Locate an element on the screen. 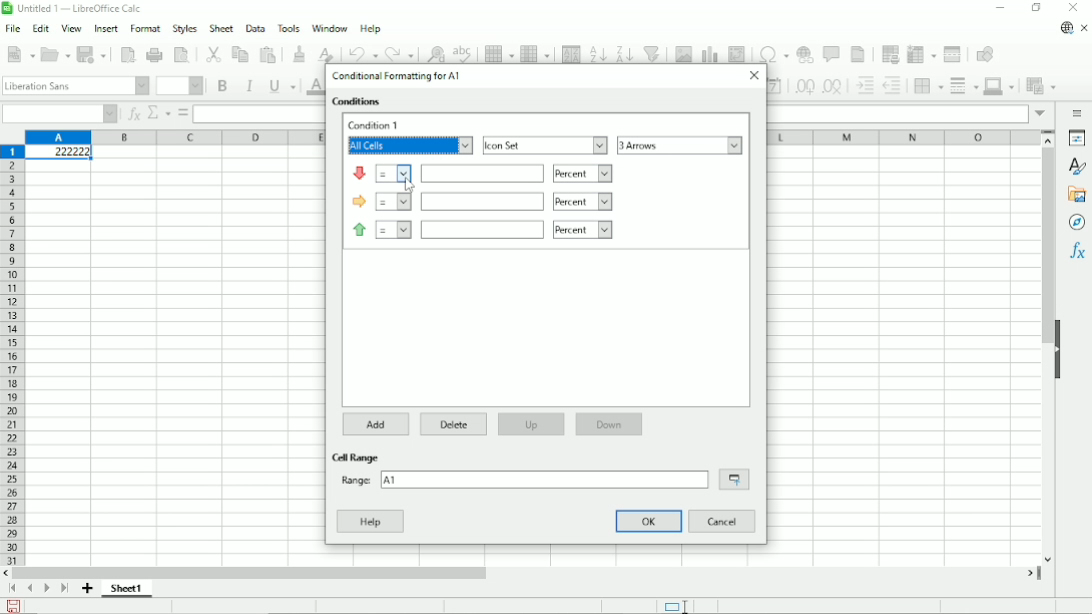 This screenshot has height=614, width=1092. percent is located at coordinates (582, 173).